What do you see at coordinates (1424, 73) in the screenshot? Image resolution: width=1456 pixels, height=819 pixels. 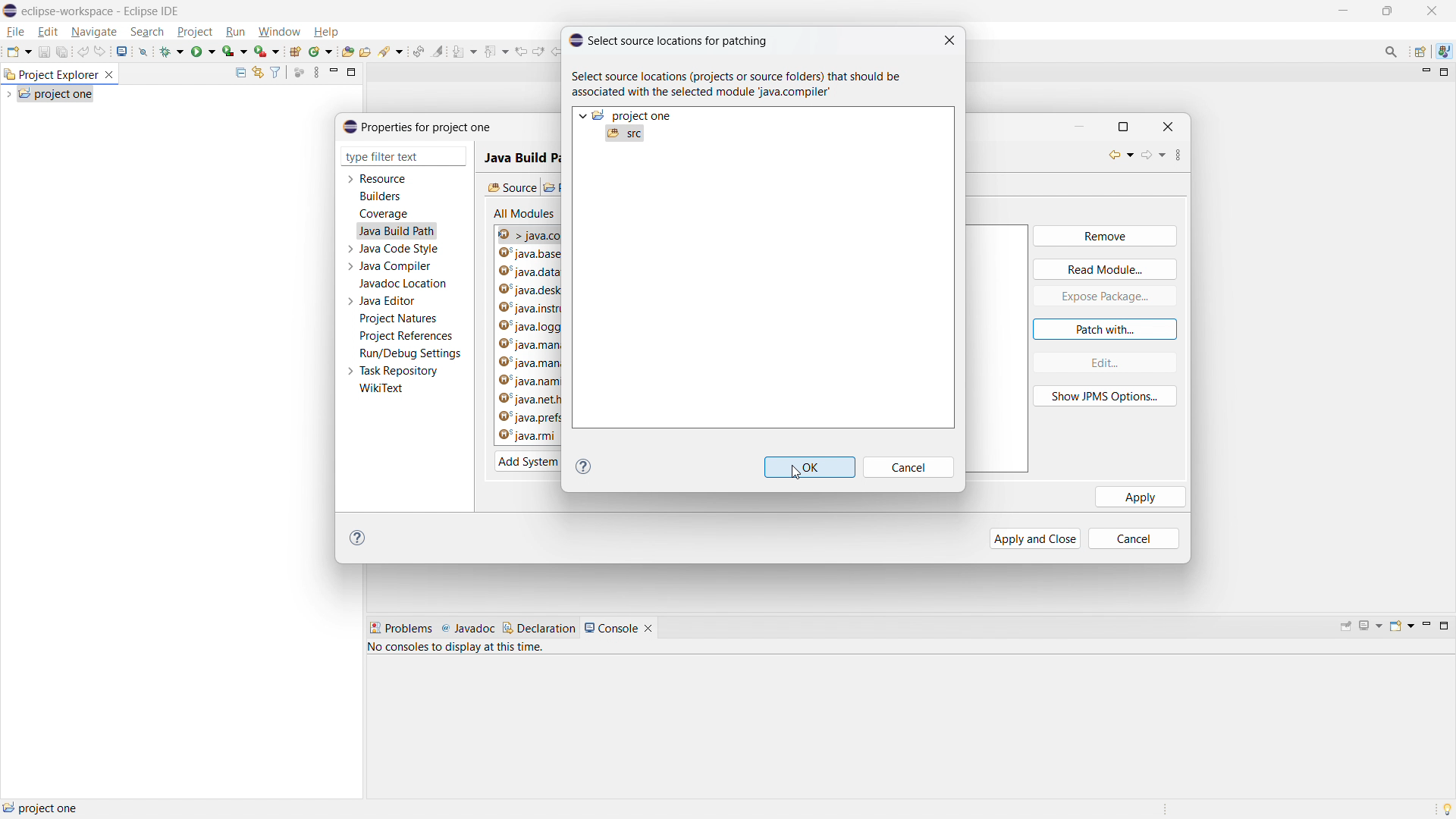 I see `minimize` at bounding box center [1424, 73].